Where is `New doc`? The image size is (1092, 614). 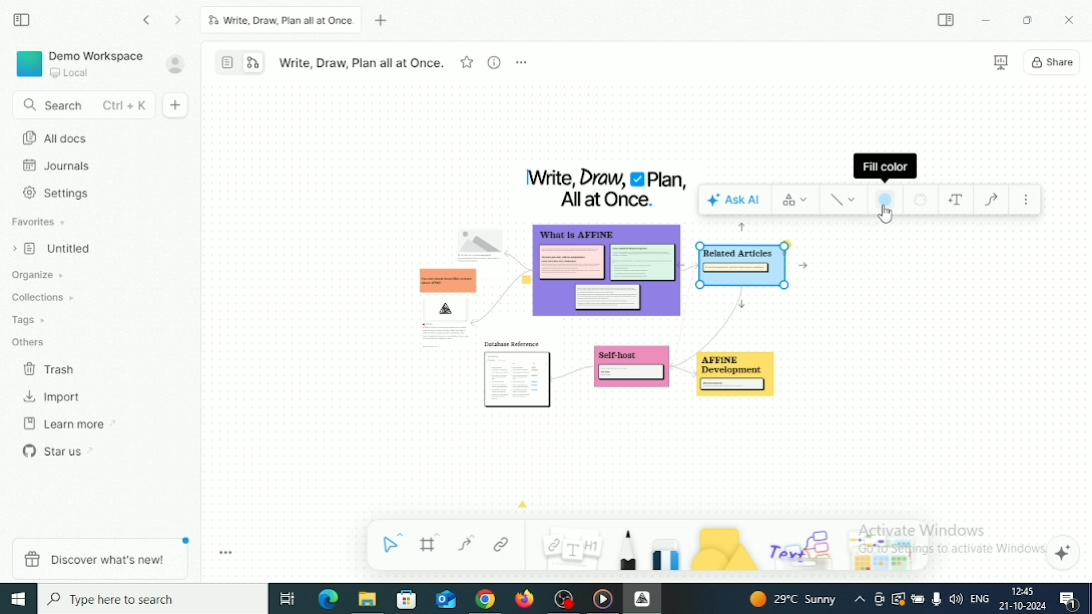 New doc is located at coordinates (177, 105).